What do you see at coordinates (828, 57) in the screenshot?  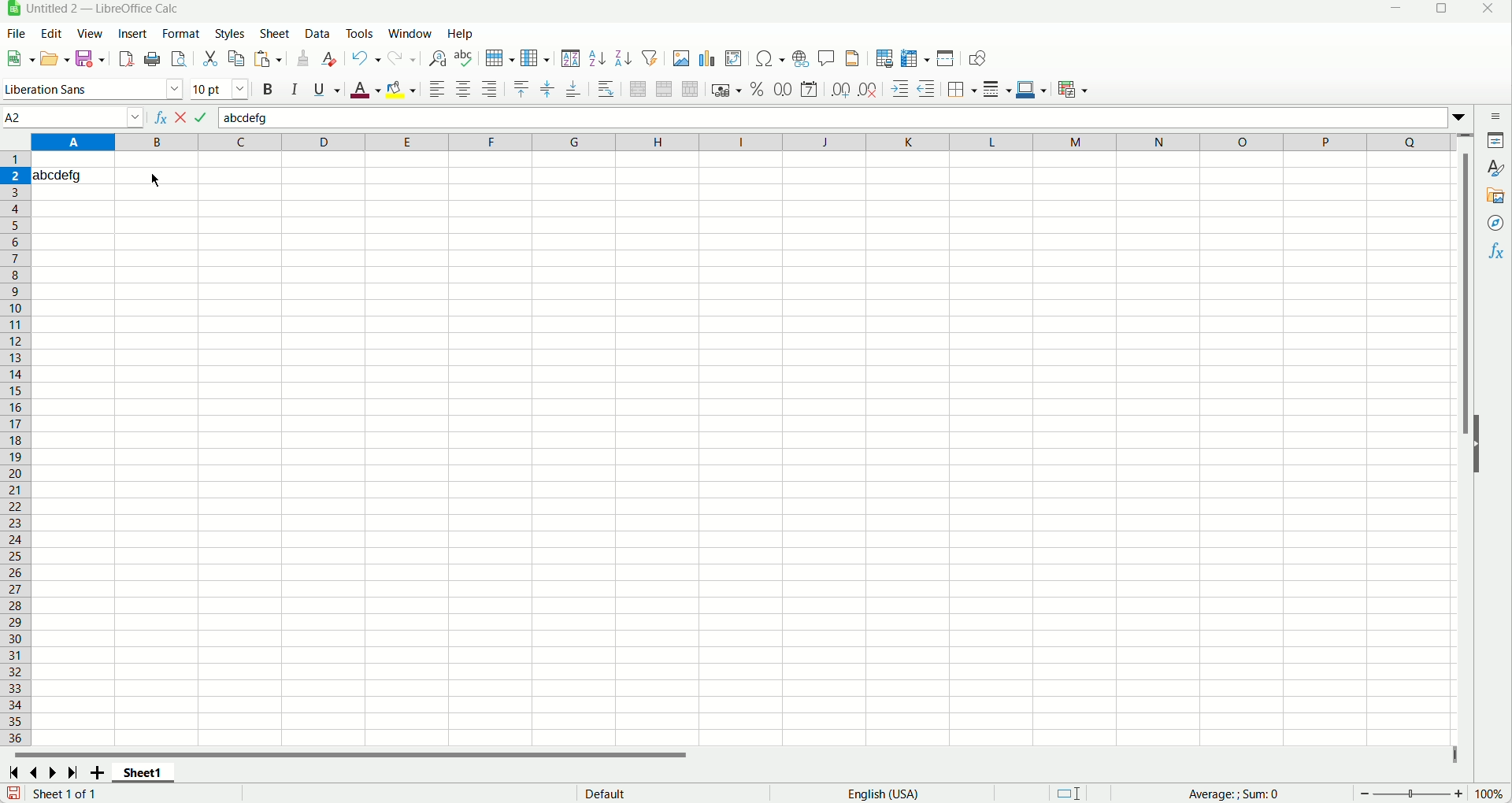 I see `insert comment` at bounding box center [828, 57].